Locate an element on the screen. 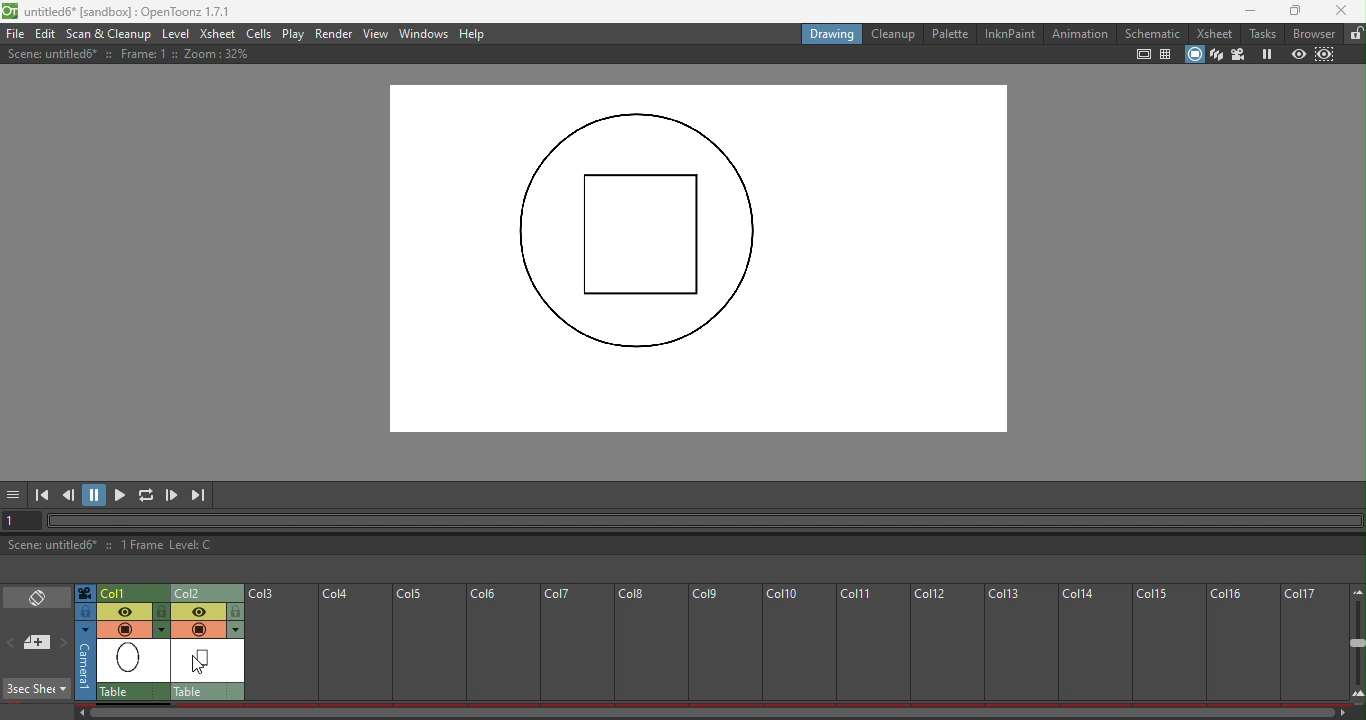 The image size is (1366, 720). Edit is located at coordinates (47, 34).